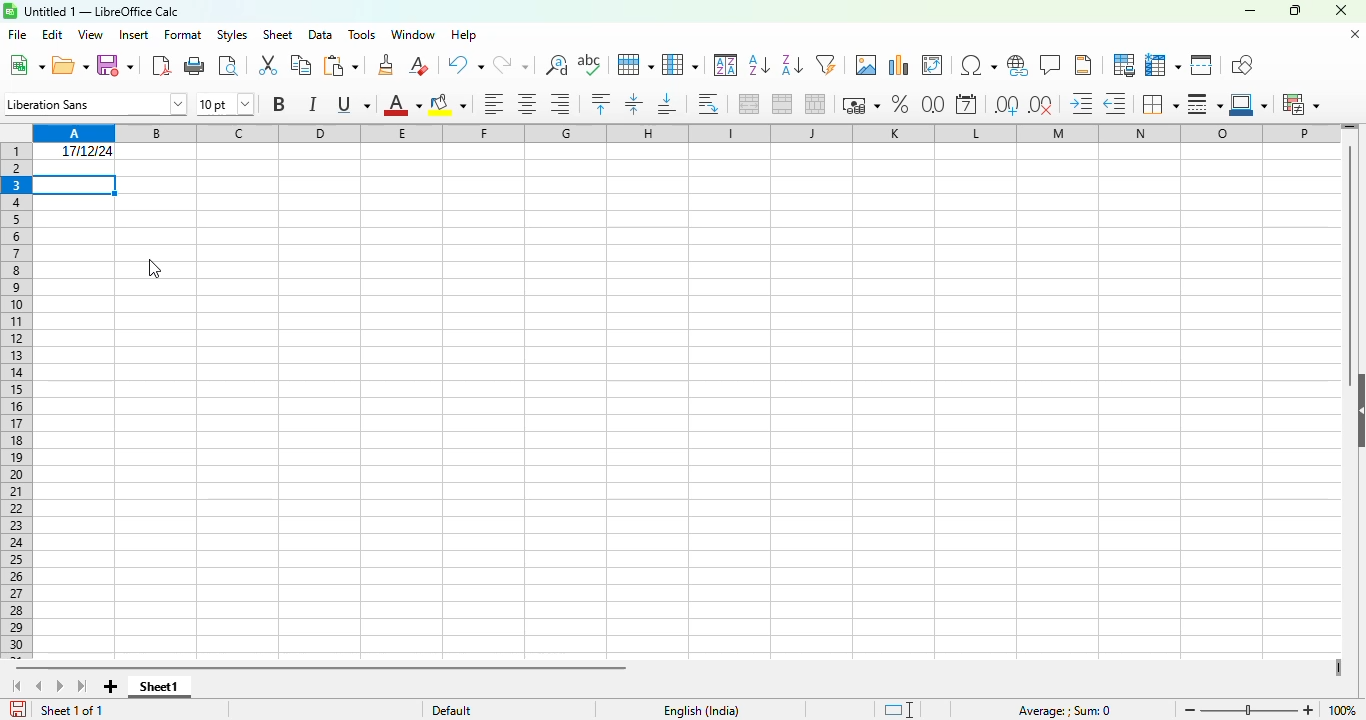 The height and width of the screenshot is (720, 1366). I want to click on headers and footers, so click(1083, 65).